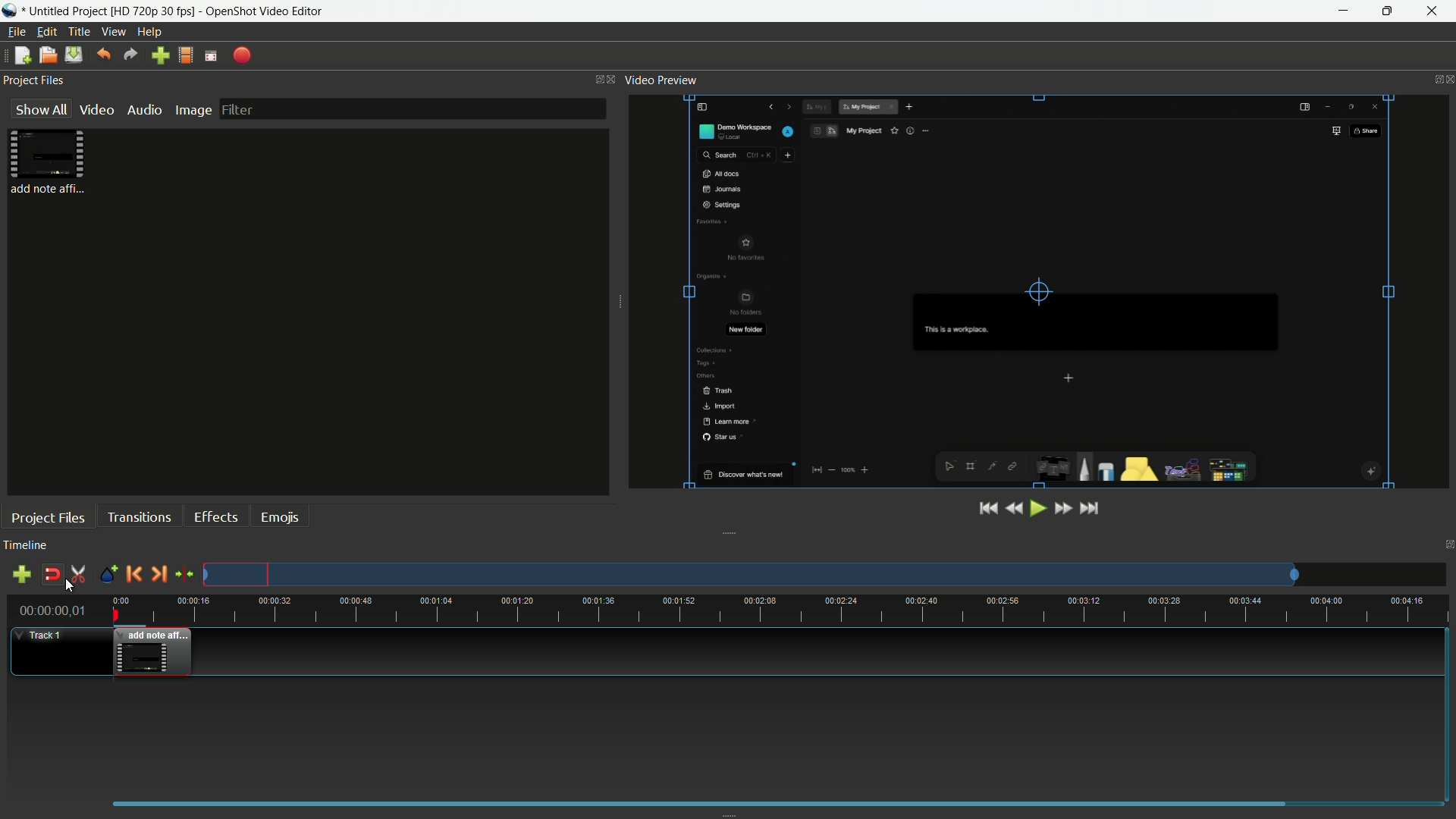  I want to click on project files, so click(49, 518).